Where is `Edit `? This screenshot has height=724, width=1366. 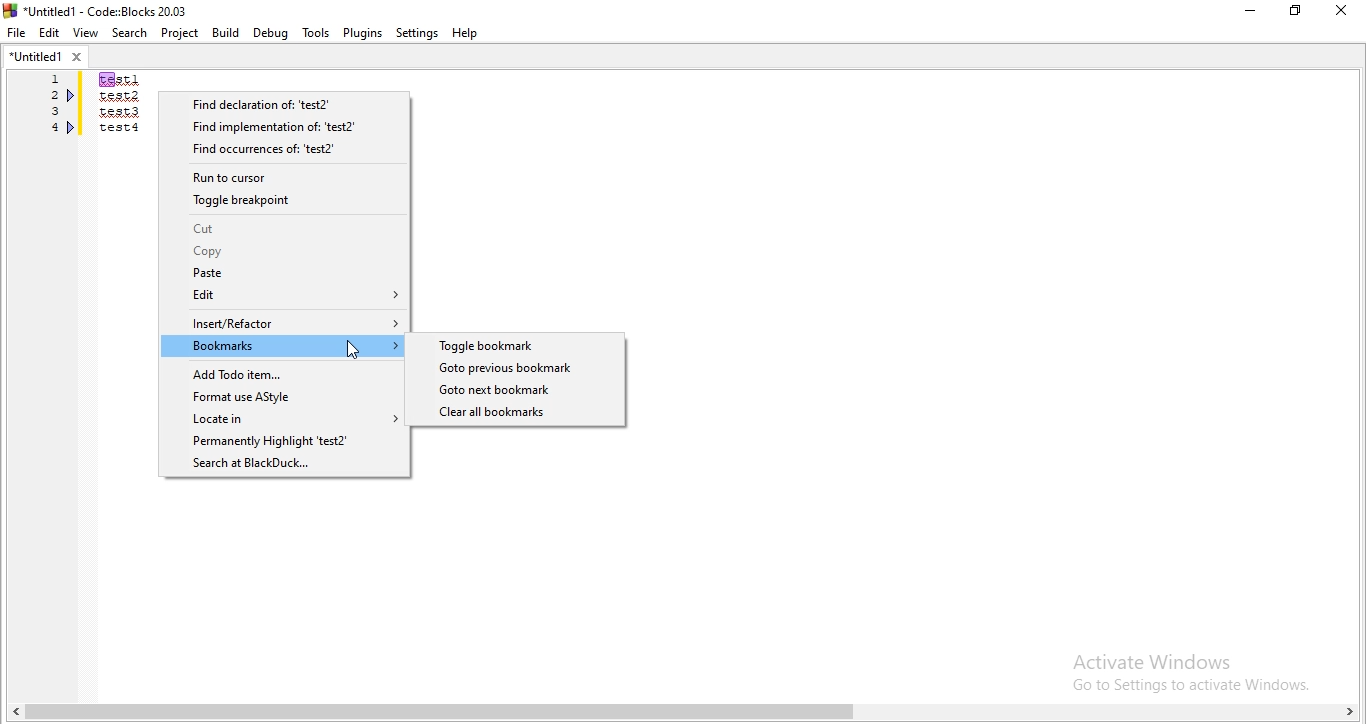
Edit  is located at coordinates (50, 33).